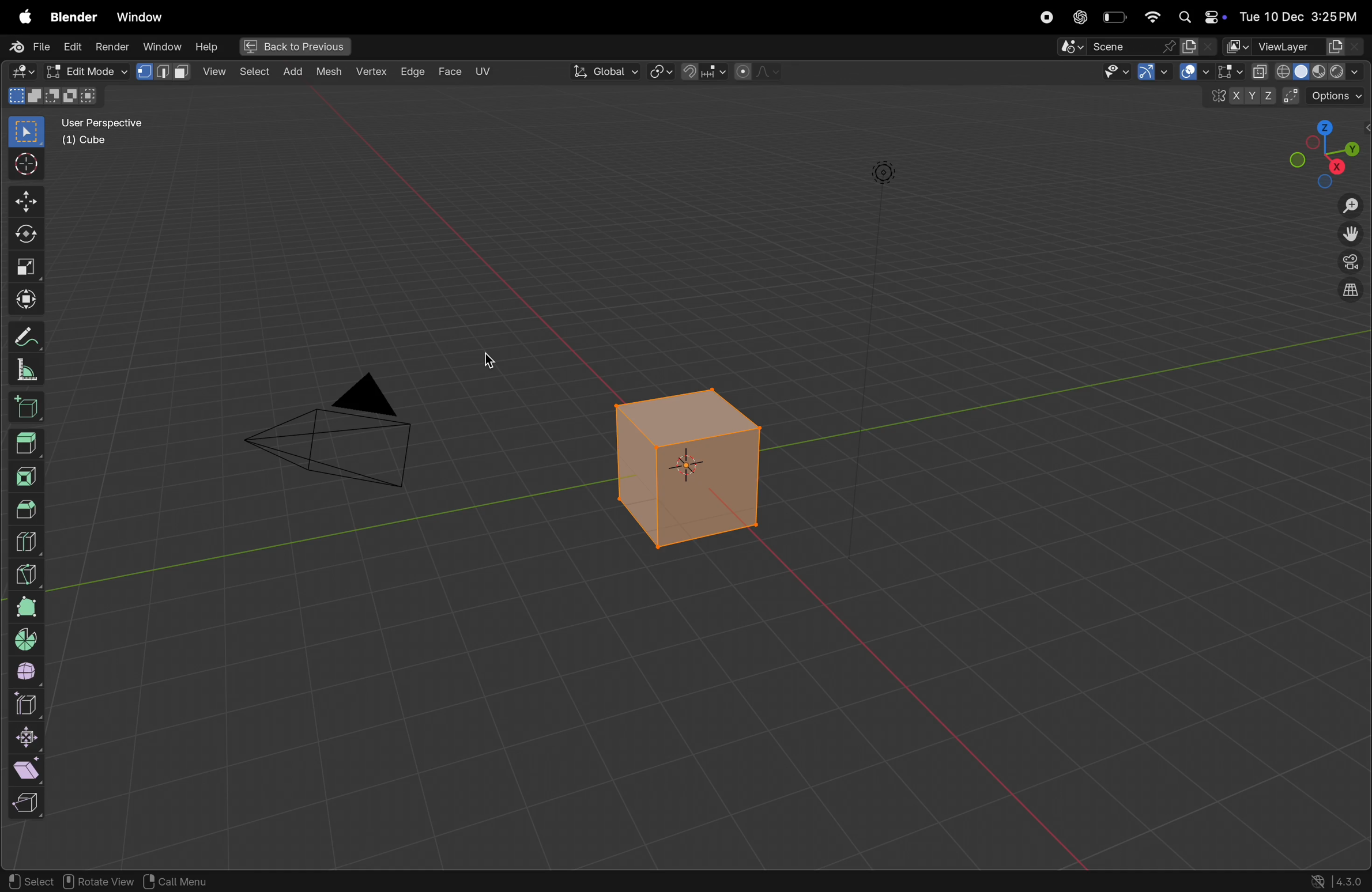 This screenshot has width=1372, height=892. Describe the element at coordinates (1328, 95) in the screenshot. I see `option` at that location.